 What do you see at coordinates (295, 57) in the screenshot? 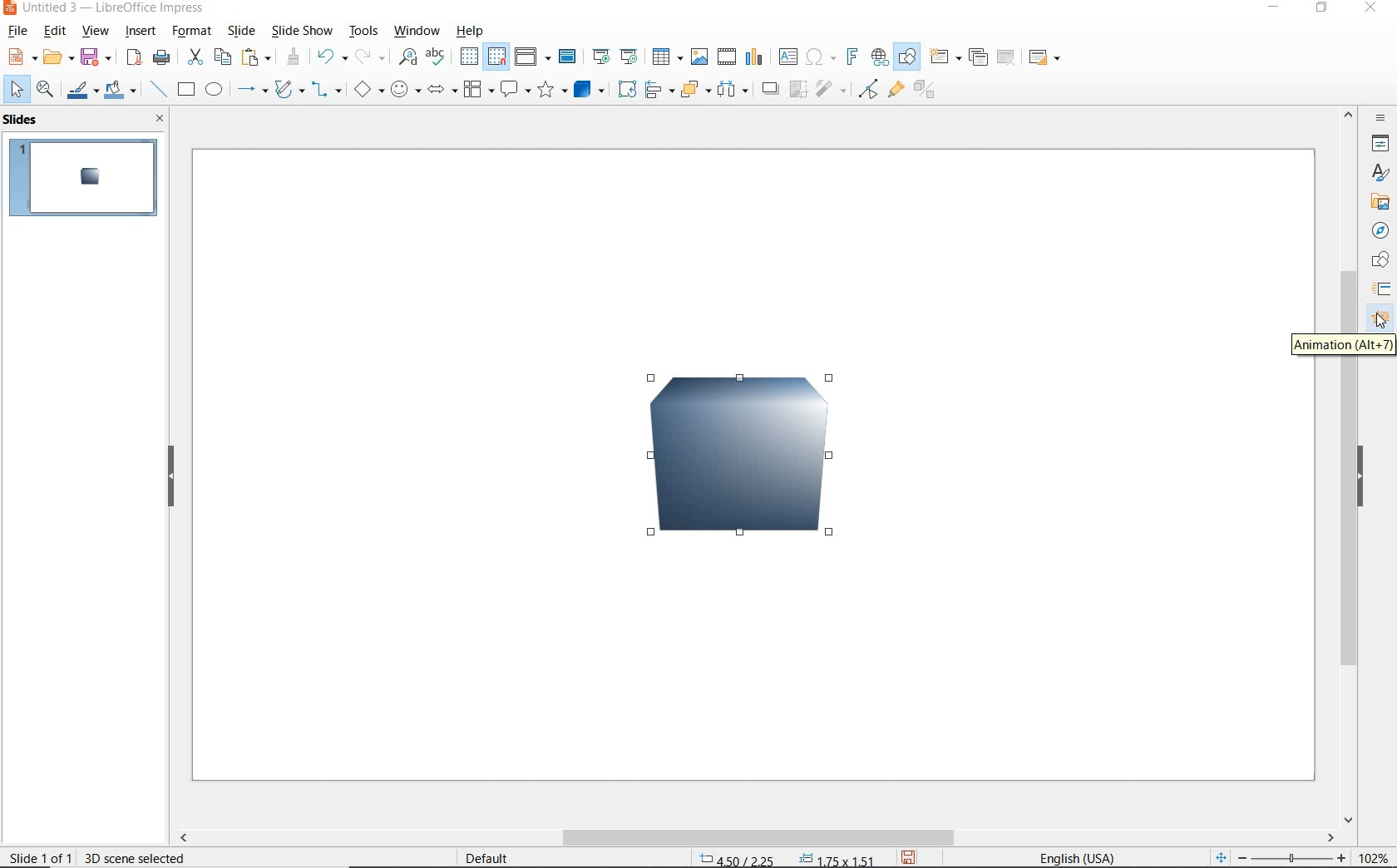
I see `clone formatting` at bounding box center [295, 57].